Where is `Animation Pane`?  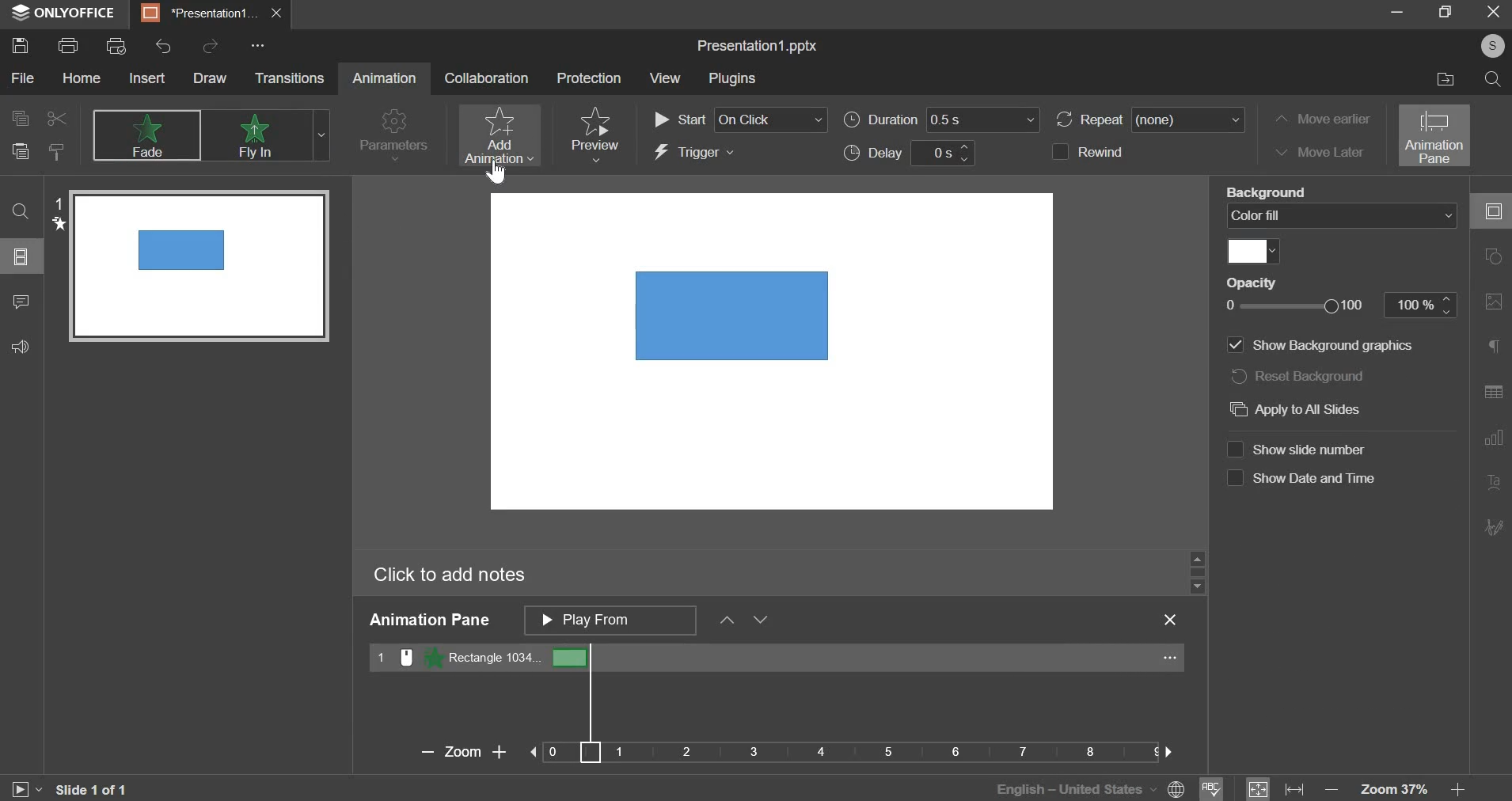
Animation Pane is located at coordinates (1492, 386).